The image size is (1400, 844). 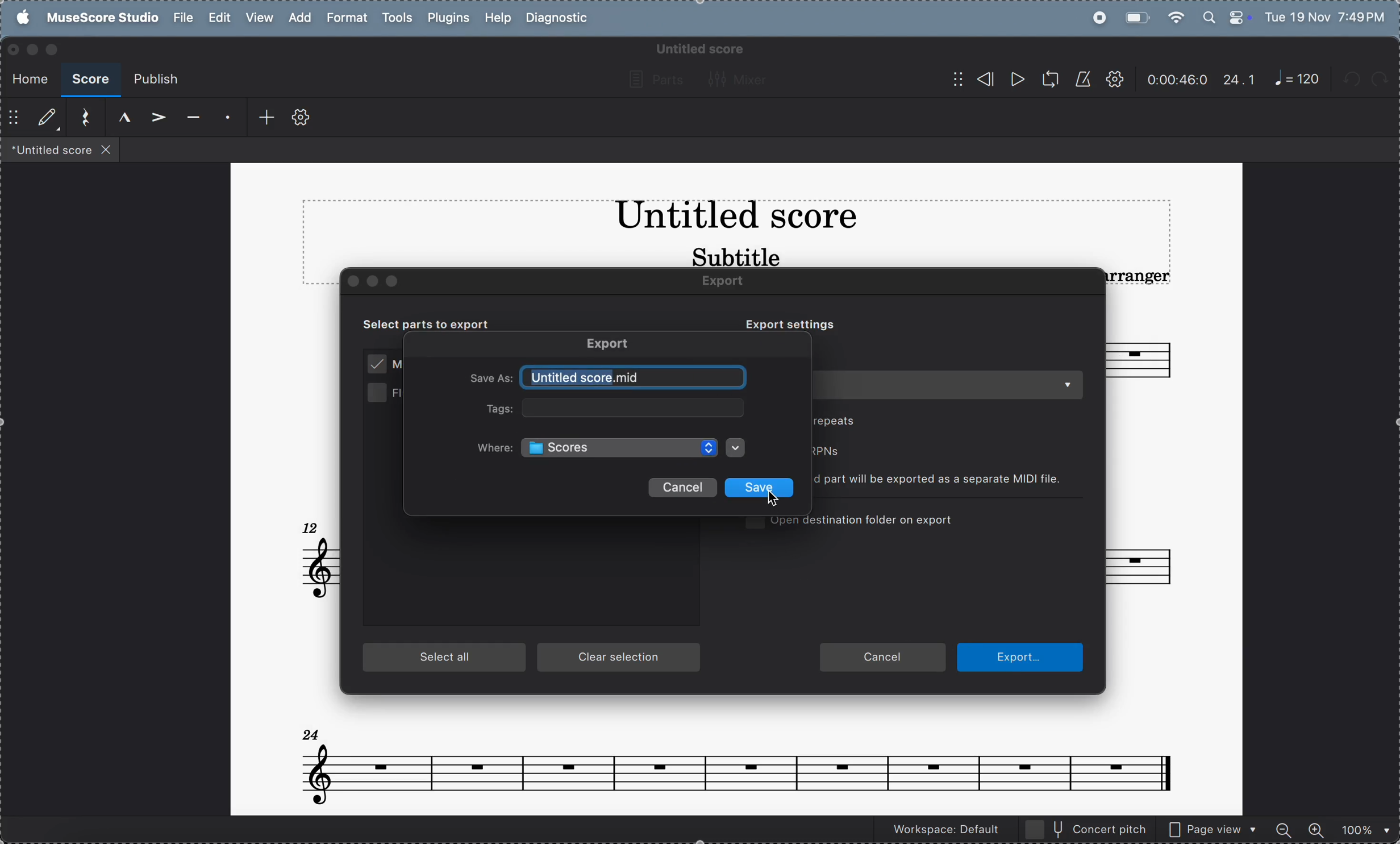 I want to click on closing, so click(x=14, y=50).